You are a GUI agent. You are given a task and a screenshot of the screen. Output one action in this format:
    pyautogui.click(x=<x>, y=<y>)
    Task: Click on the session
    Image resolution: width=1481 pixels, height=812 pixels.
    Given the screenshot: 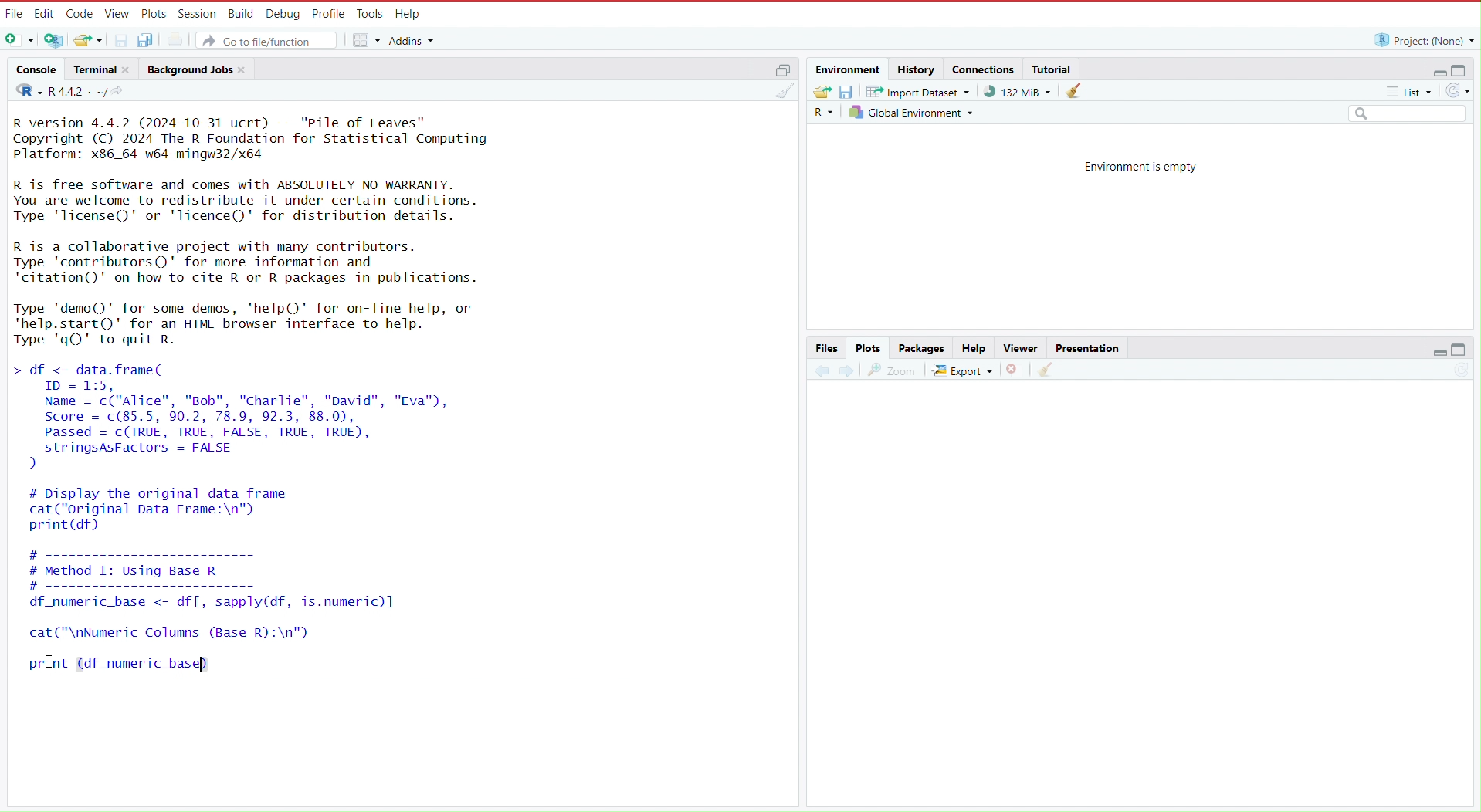 What is the action you would take?
    pyautogui.click(x=197, y=12)
    